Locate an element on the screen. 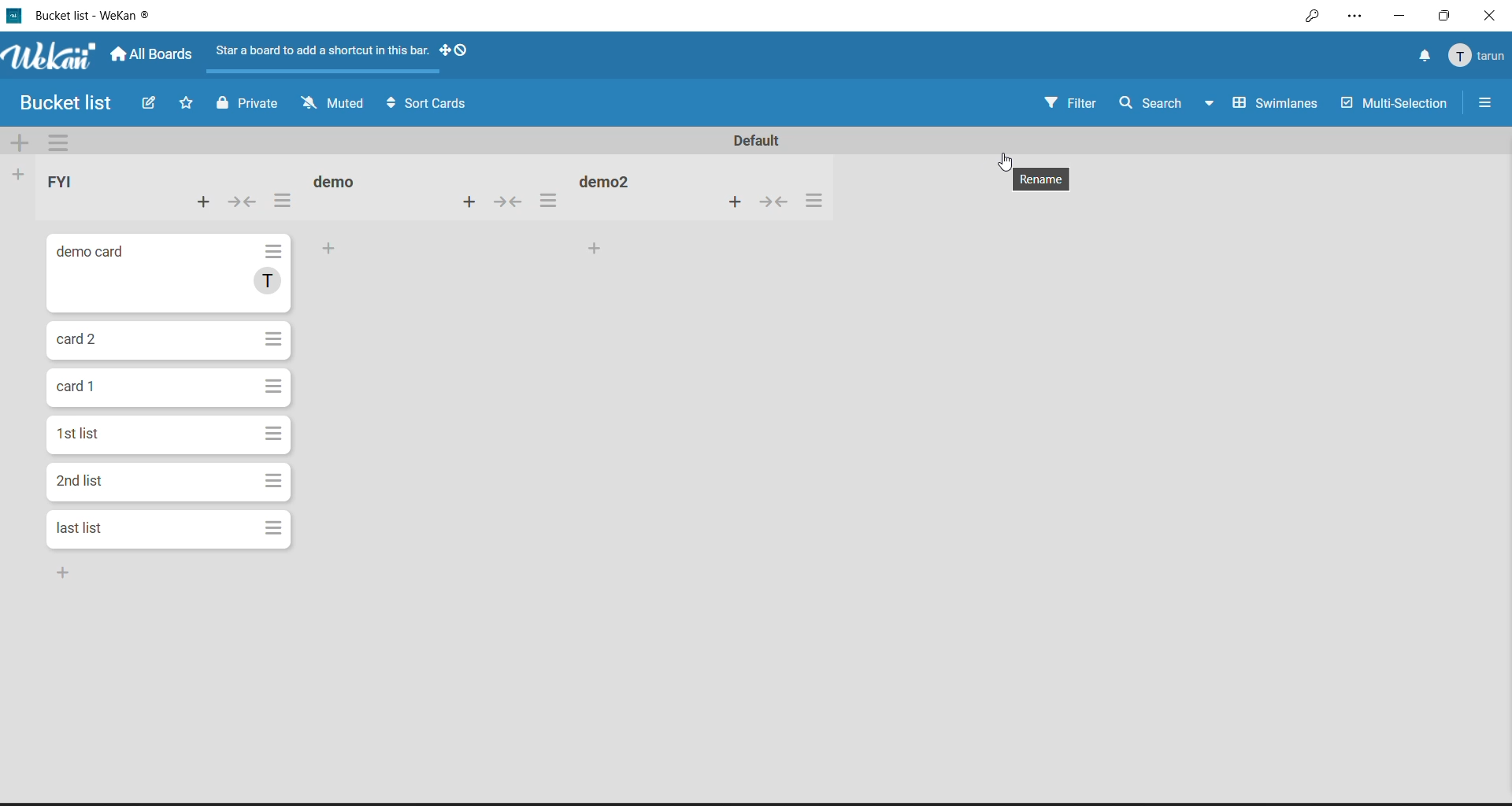  card actions is located at coordinates (274, 339).